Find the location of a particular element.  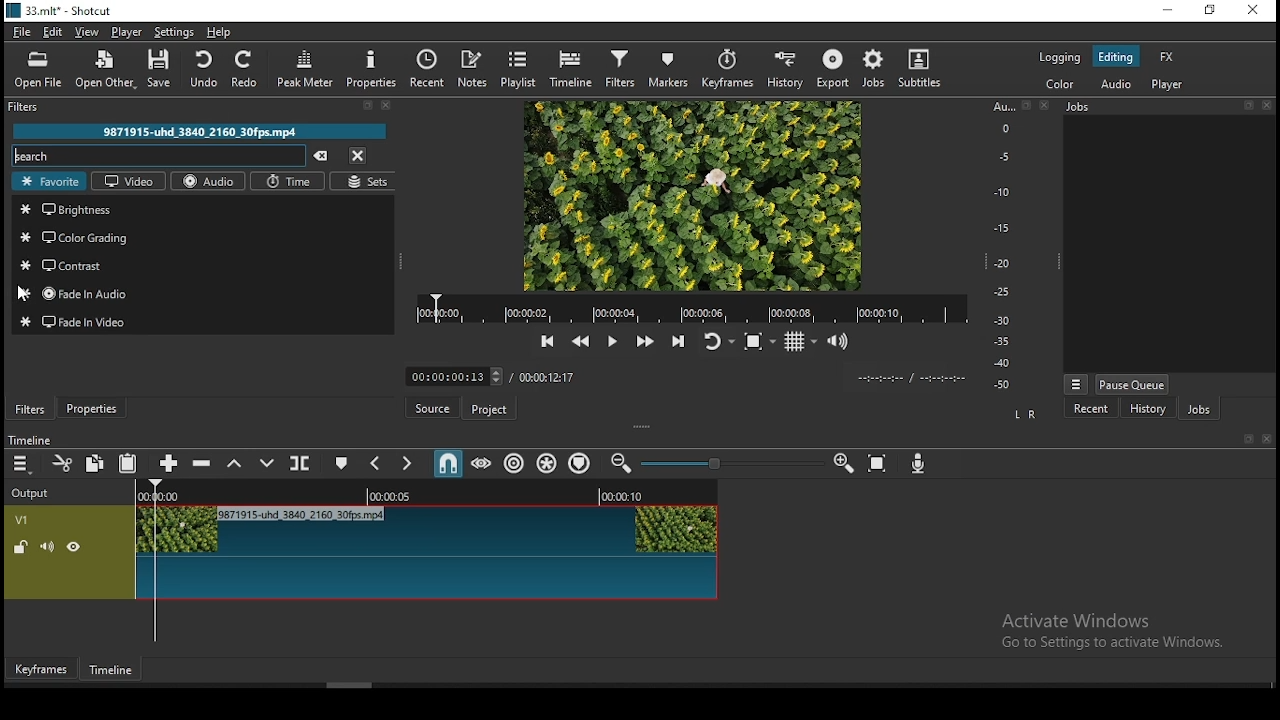

resize is located at coordinates (1249, 438).